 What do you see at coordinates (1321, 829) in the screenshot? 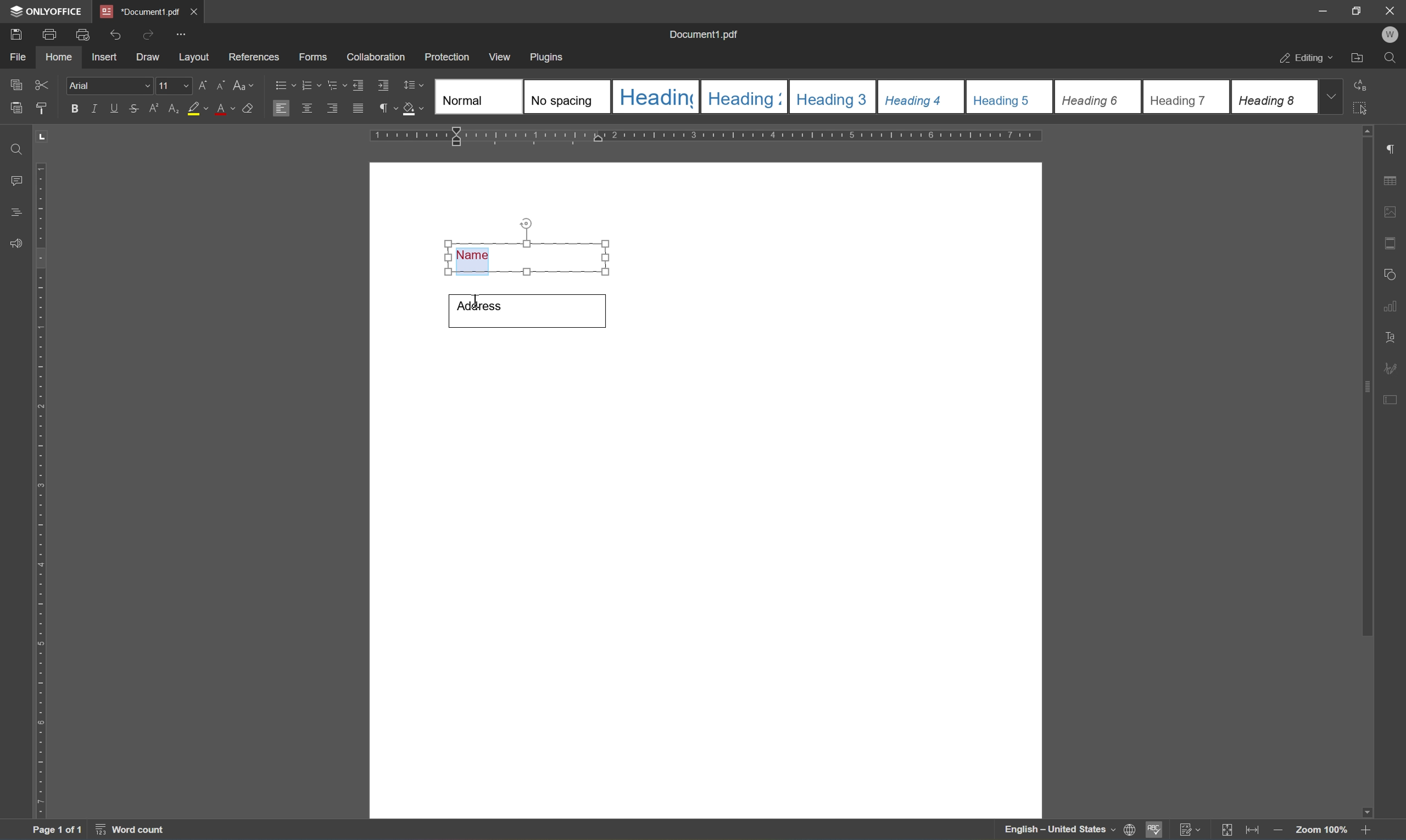
I see `zoom 100%` at bounding box center [1321, 829].